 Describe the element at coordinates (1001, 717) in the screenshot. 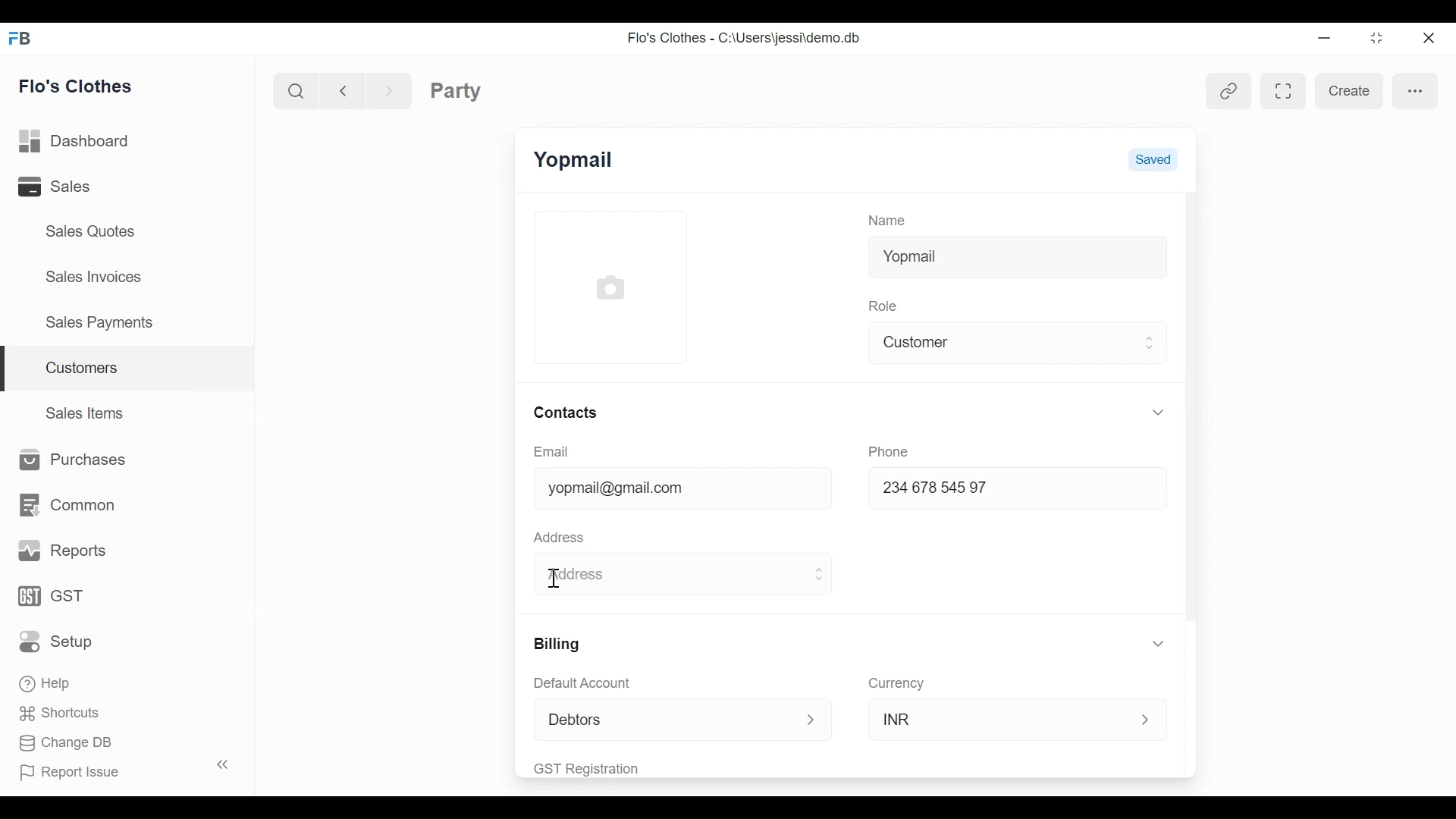

I see `INR` at that location.